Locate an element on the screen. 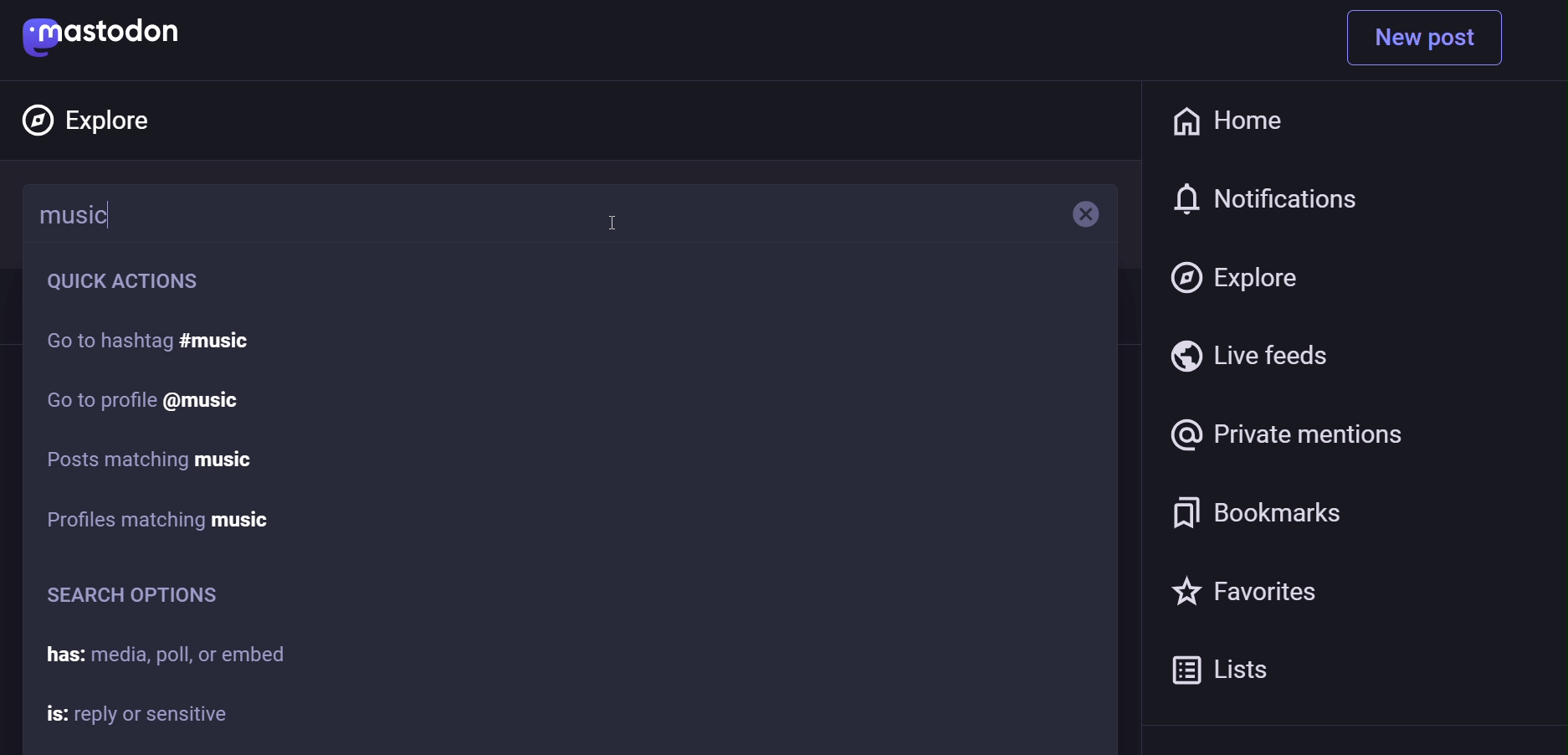 This screenshot has width=1568, height=755. quick action is located at coordinates (124, 284).